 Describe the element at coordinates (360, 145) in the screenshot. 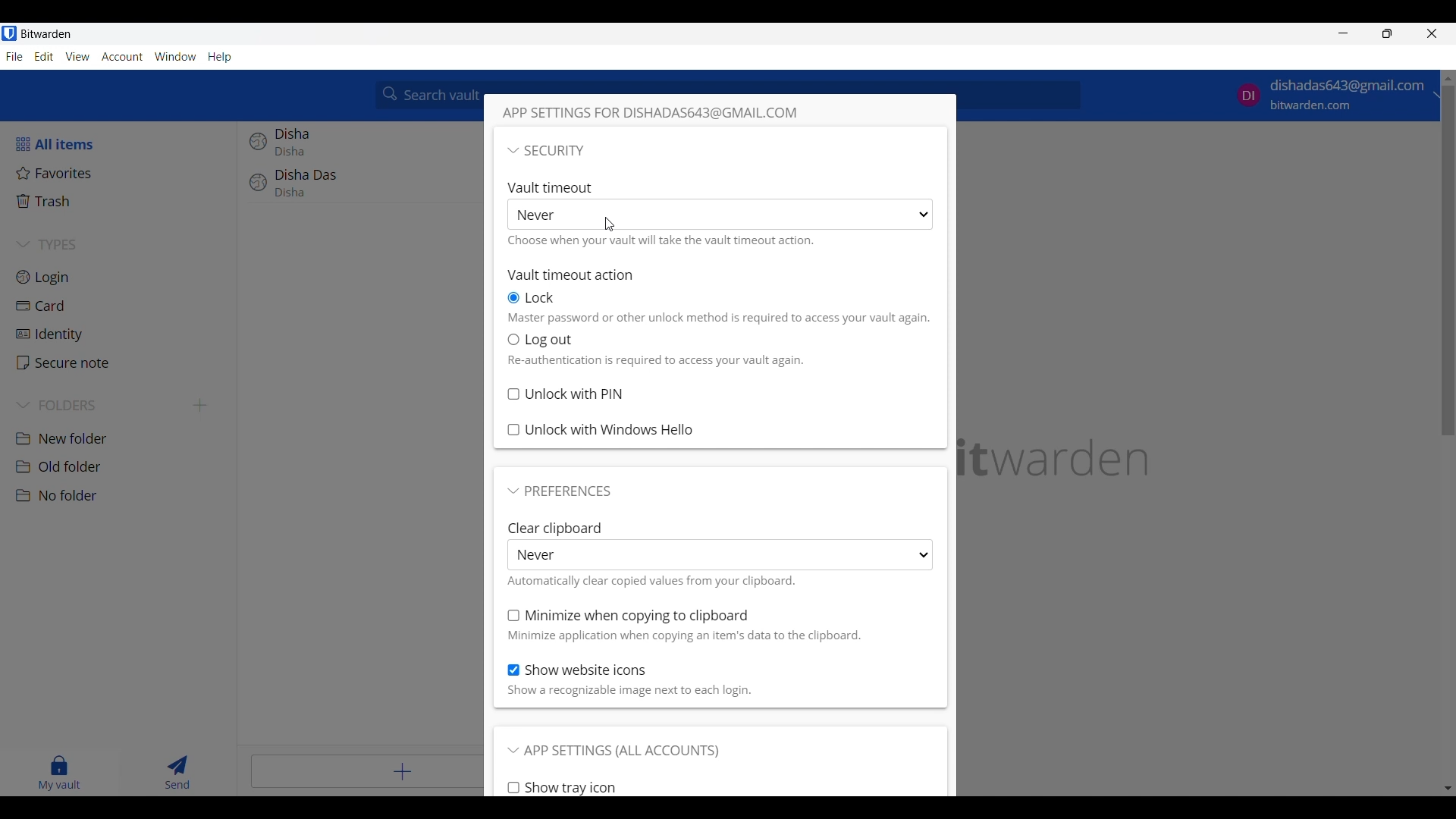

I see `Disha login entry` at that location.